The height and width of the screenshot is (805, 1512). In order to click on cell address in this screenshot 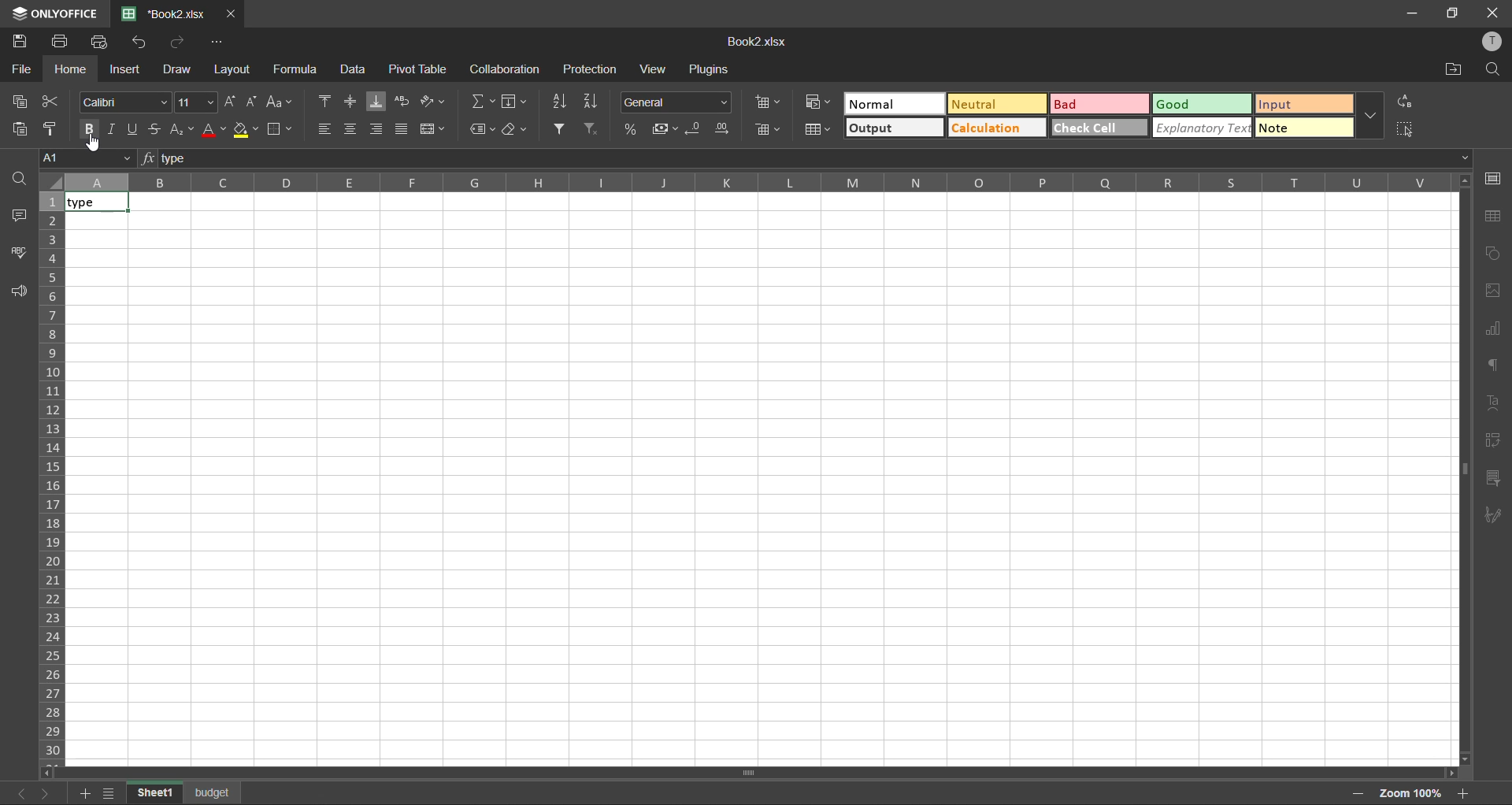, I will do `click(86, 157)`.